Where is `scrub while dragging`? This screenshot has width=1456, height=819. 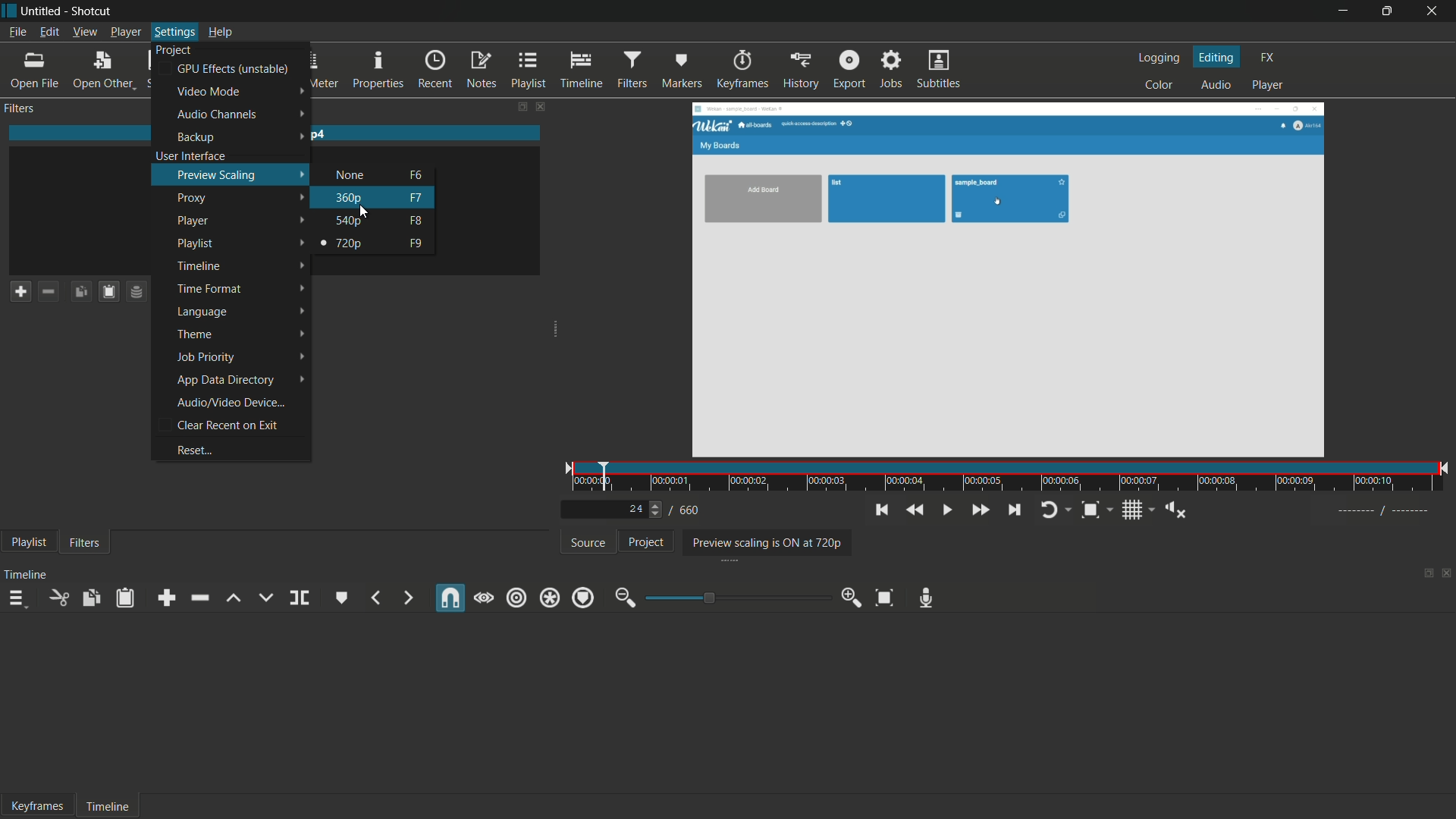
scrub while dragging is located at coordinates (484, 598).